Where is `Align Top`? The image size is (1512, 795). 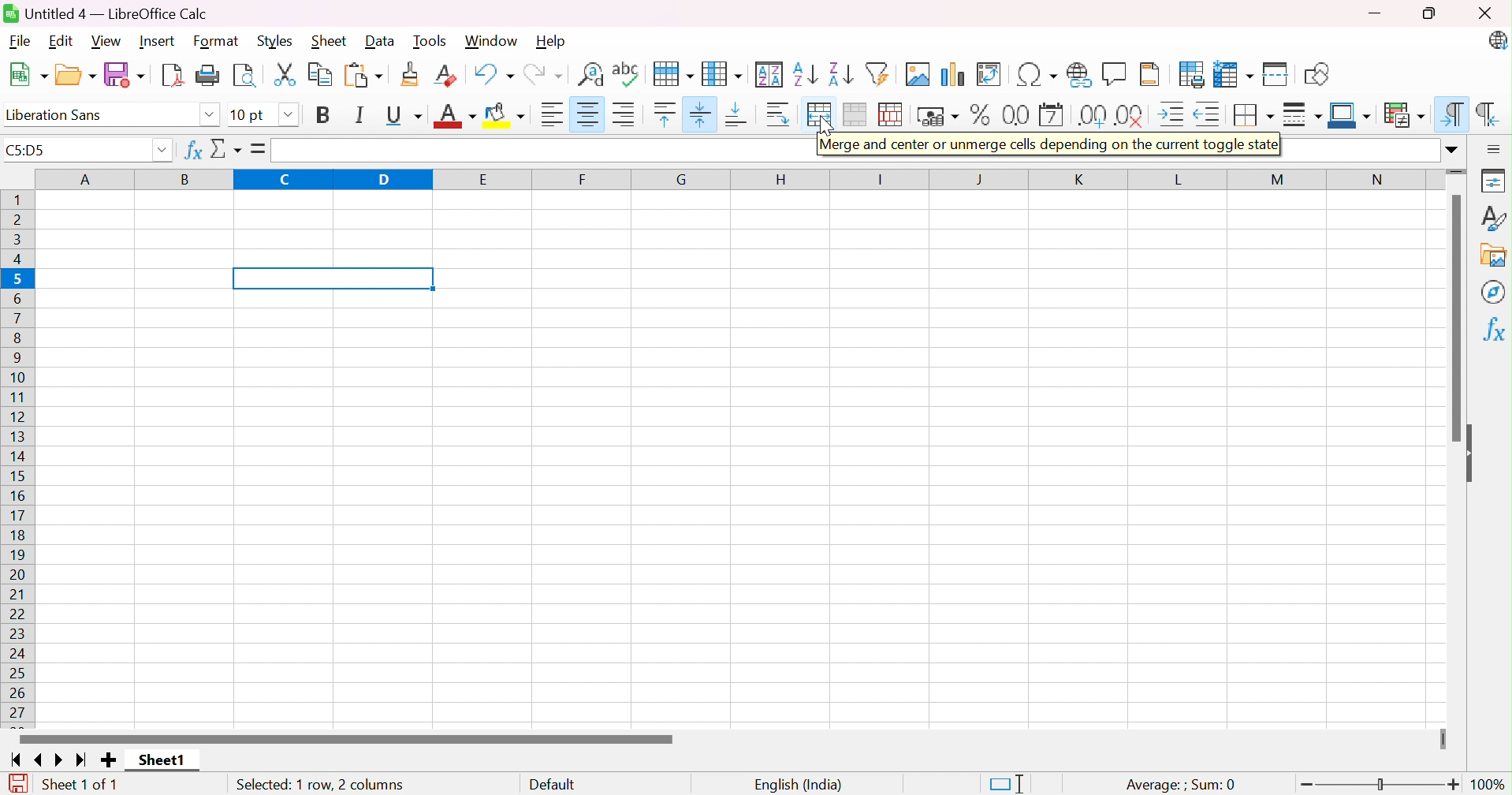
Align Top is located at coordinates (664, 114).